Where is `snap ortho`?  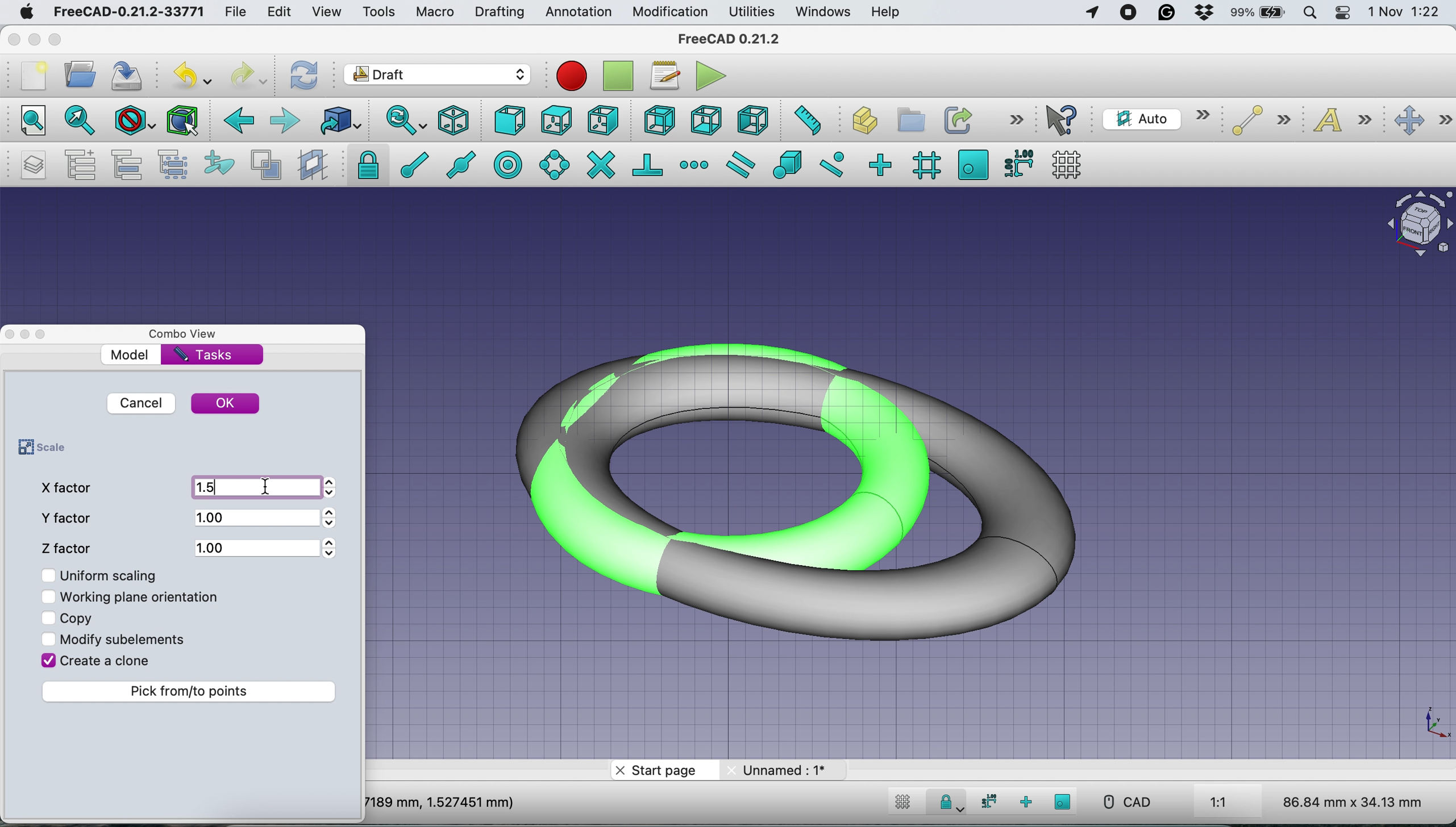 snap ortho is located at coordinates (883, 164).